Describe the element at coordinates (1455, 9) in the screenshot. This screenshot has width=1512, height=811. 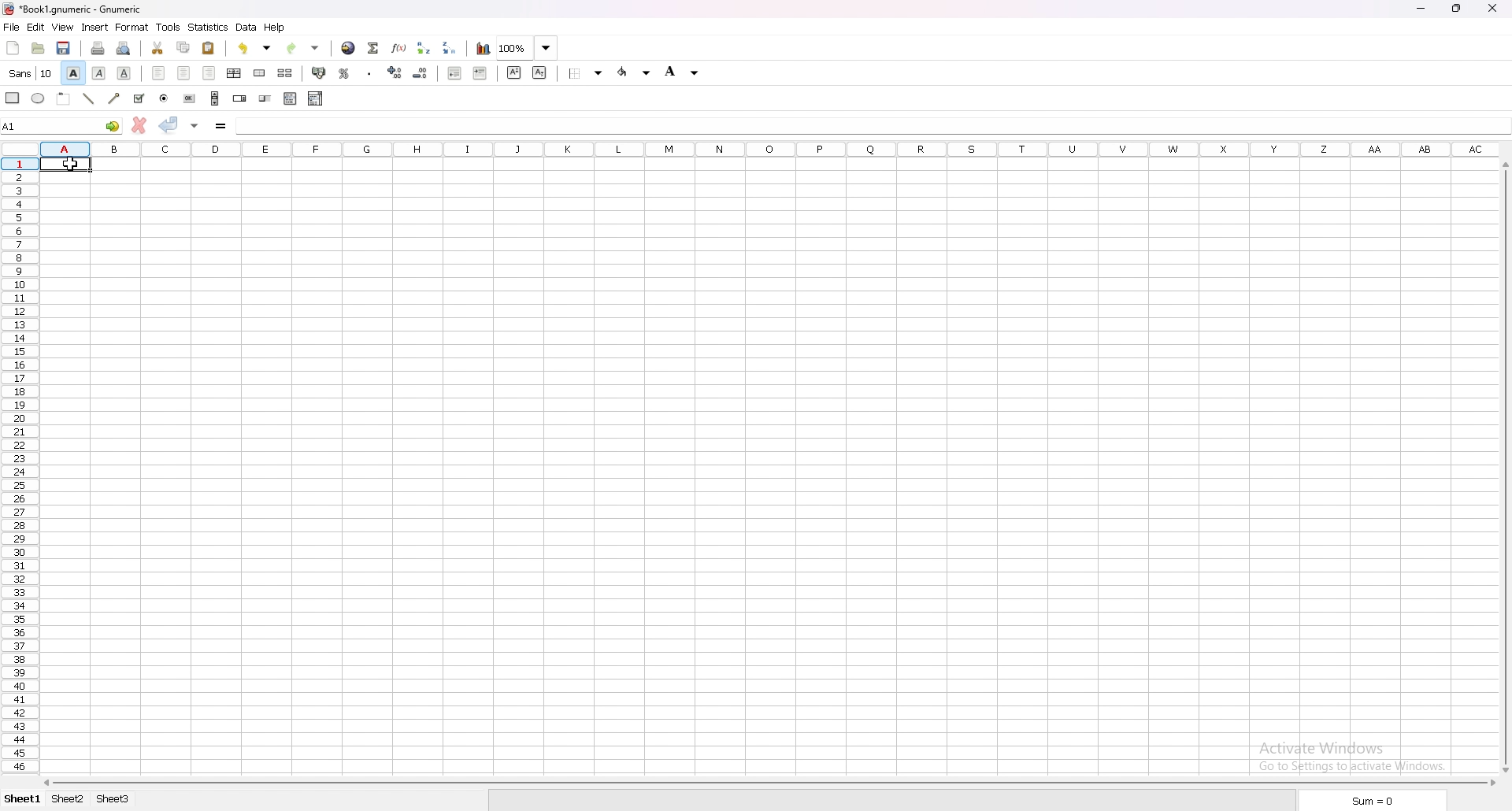
I see `resize` at that location.